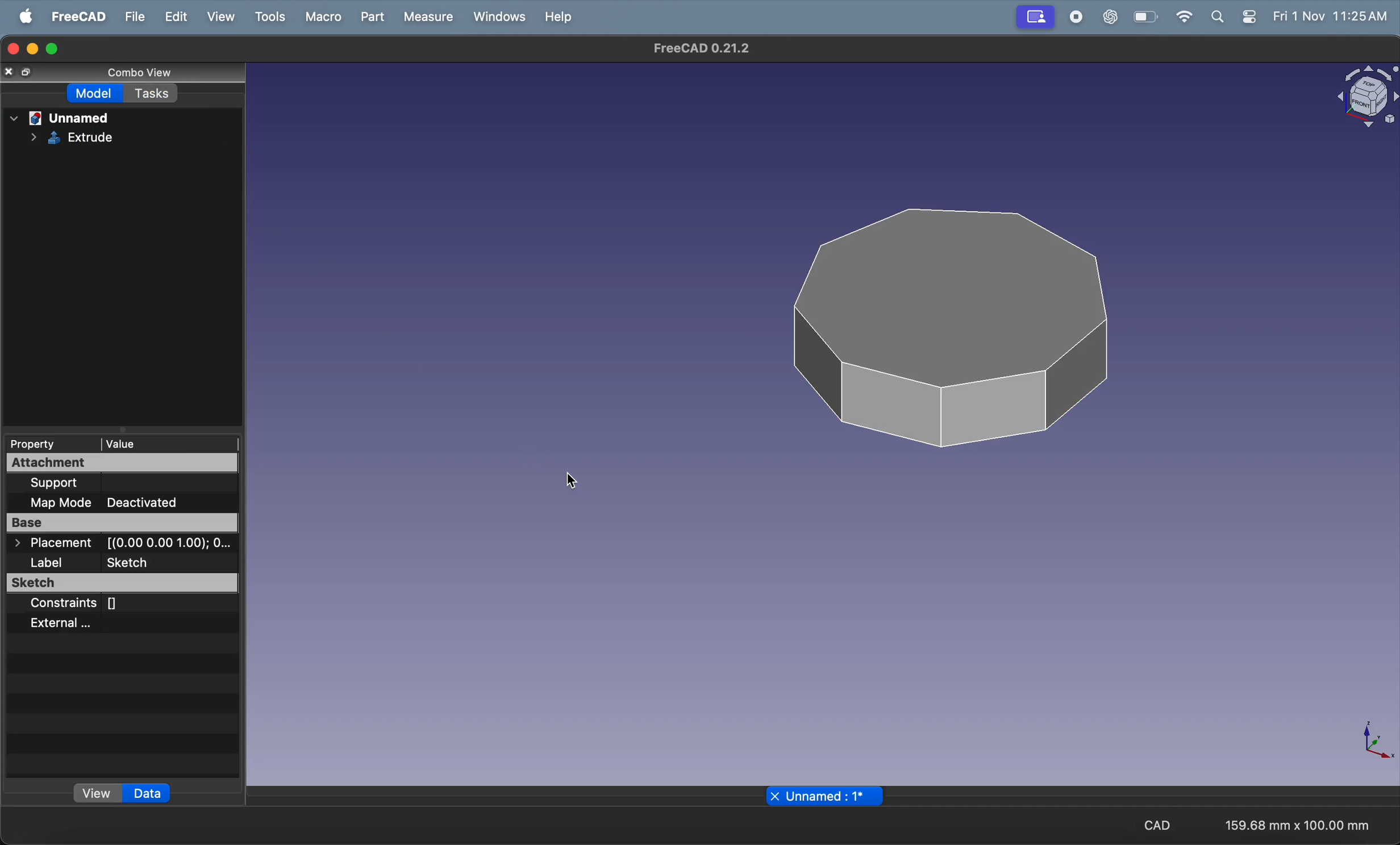 This screenshot has width=1400, height=845. Describe the element at coordinates (30, 72) in the screenshot. I see `full screen` at that location.